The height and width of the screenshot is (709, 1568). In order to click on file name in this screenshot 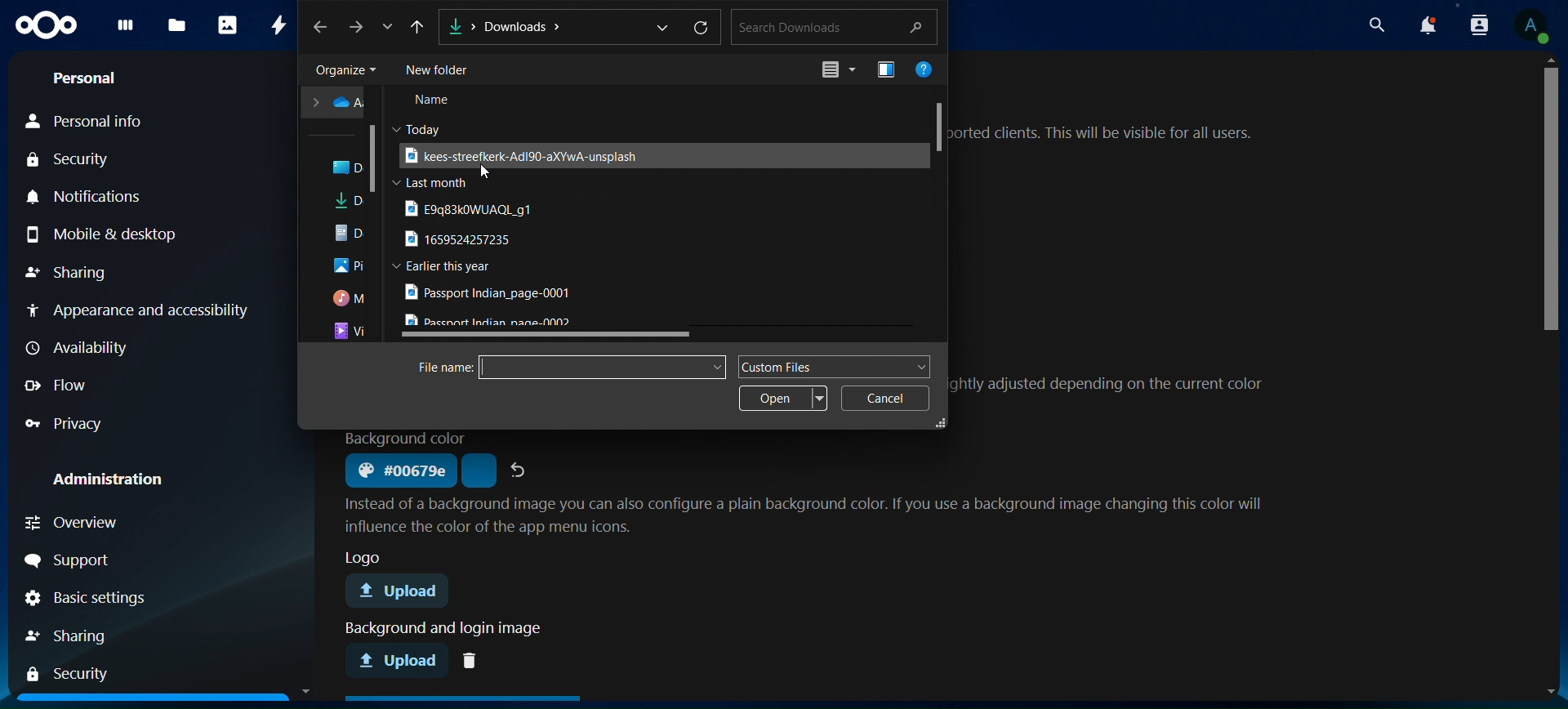, I will do `click(597, 366)`.